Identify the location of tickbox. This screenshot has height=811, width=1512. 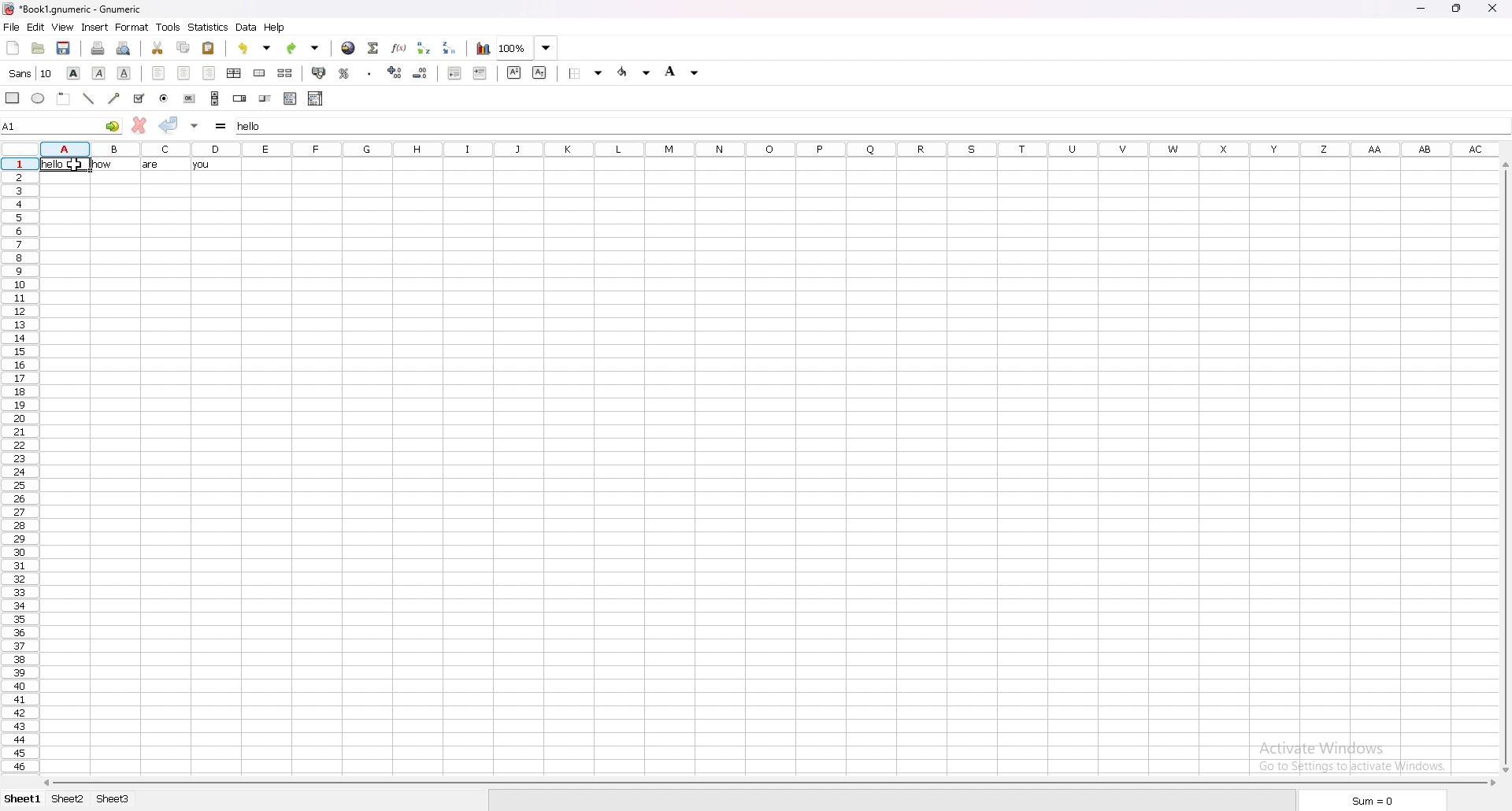
(138, 98).